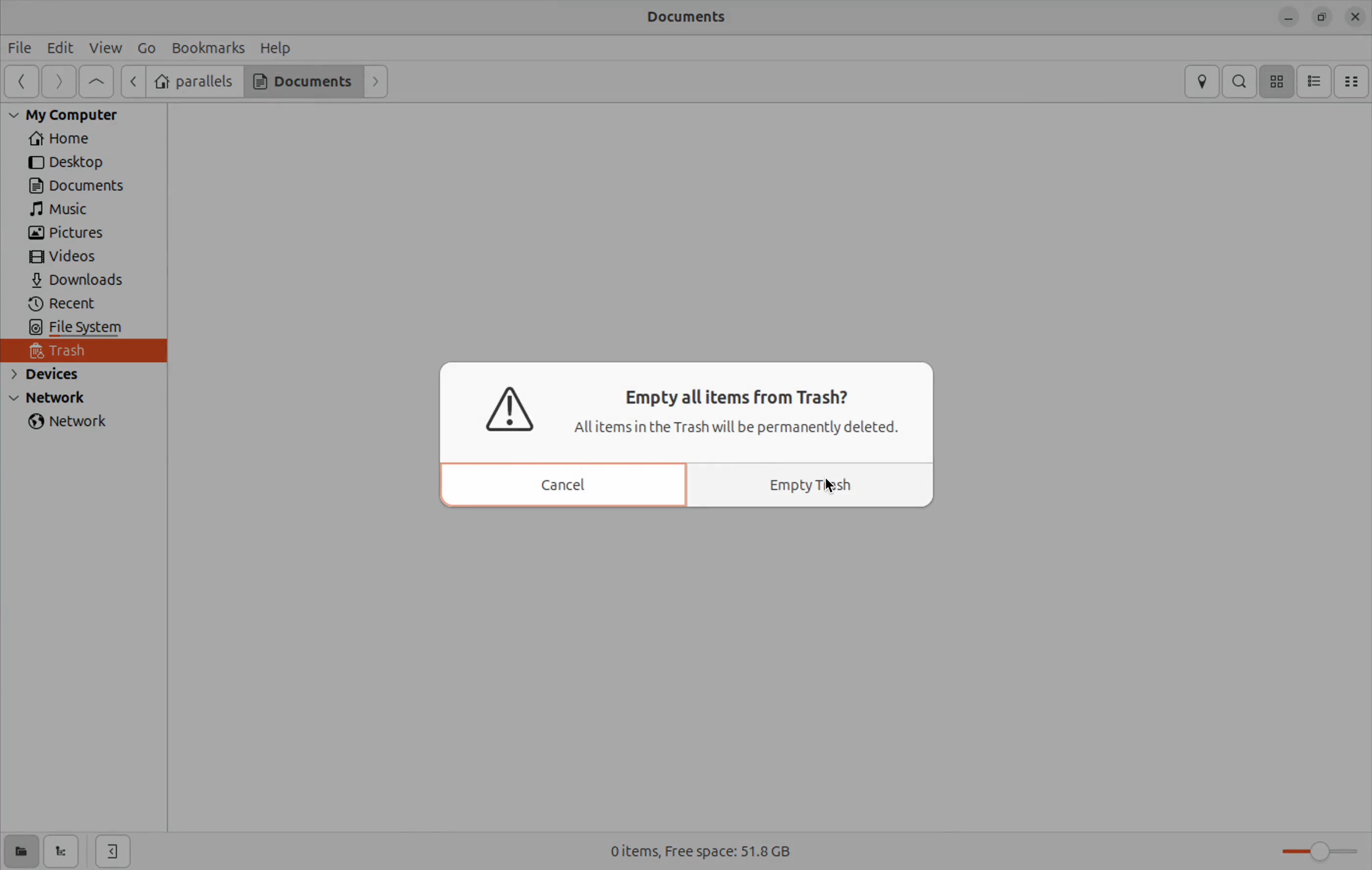 This screenshot has width=1372, height=870. Describe the element at coordinates (76, 161) in the screenshot. I see `Desktop` at that location.